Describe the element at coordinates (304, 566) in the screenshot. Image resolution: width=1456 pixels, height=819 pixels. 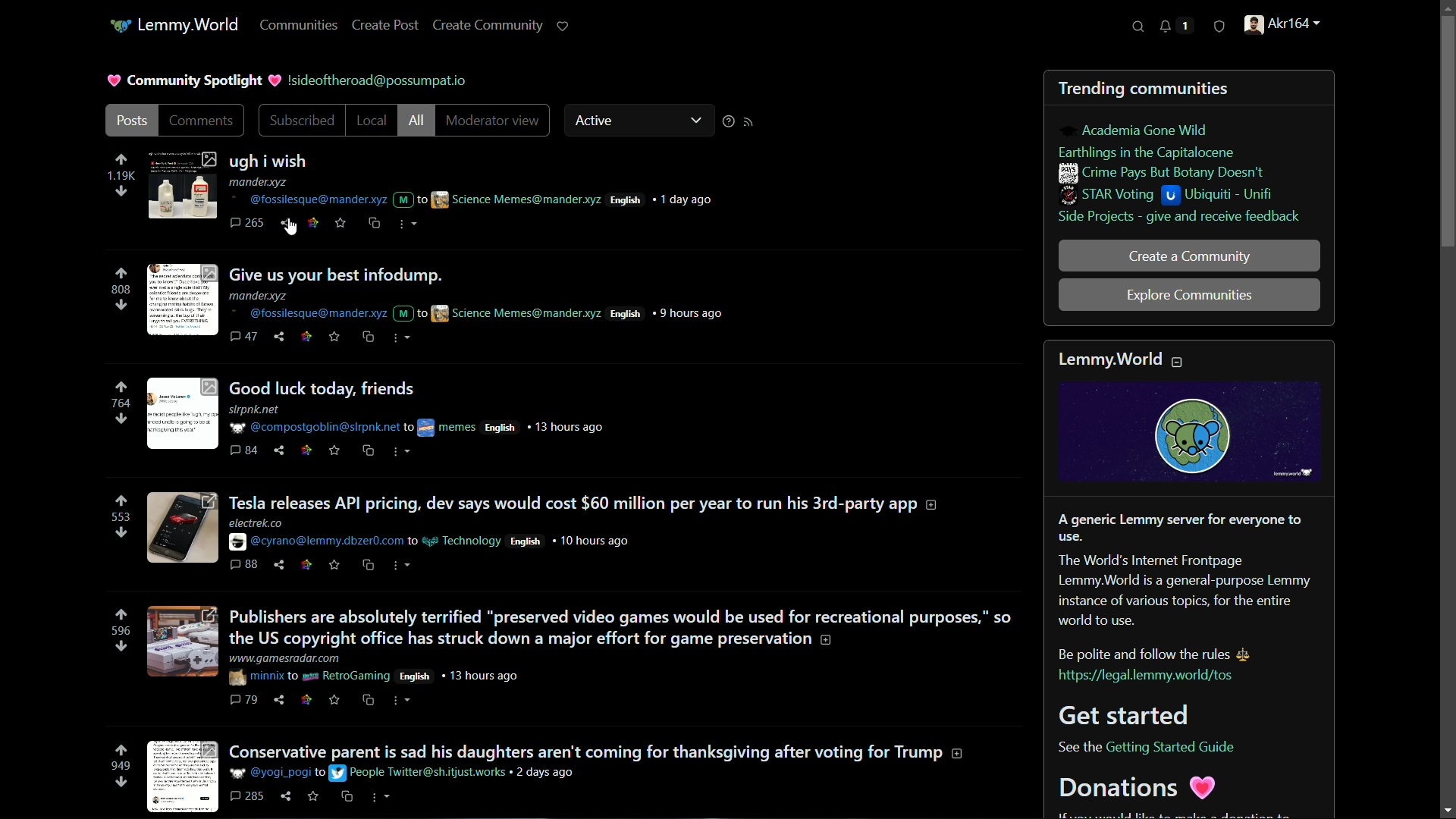
I see `link` at that location.